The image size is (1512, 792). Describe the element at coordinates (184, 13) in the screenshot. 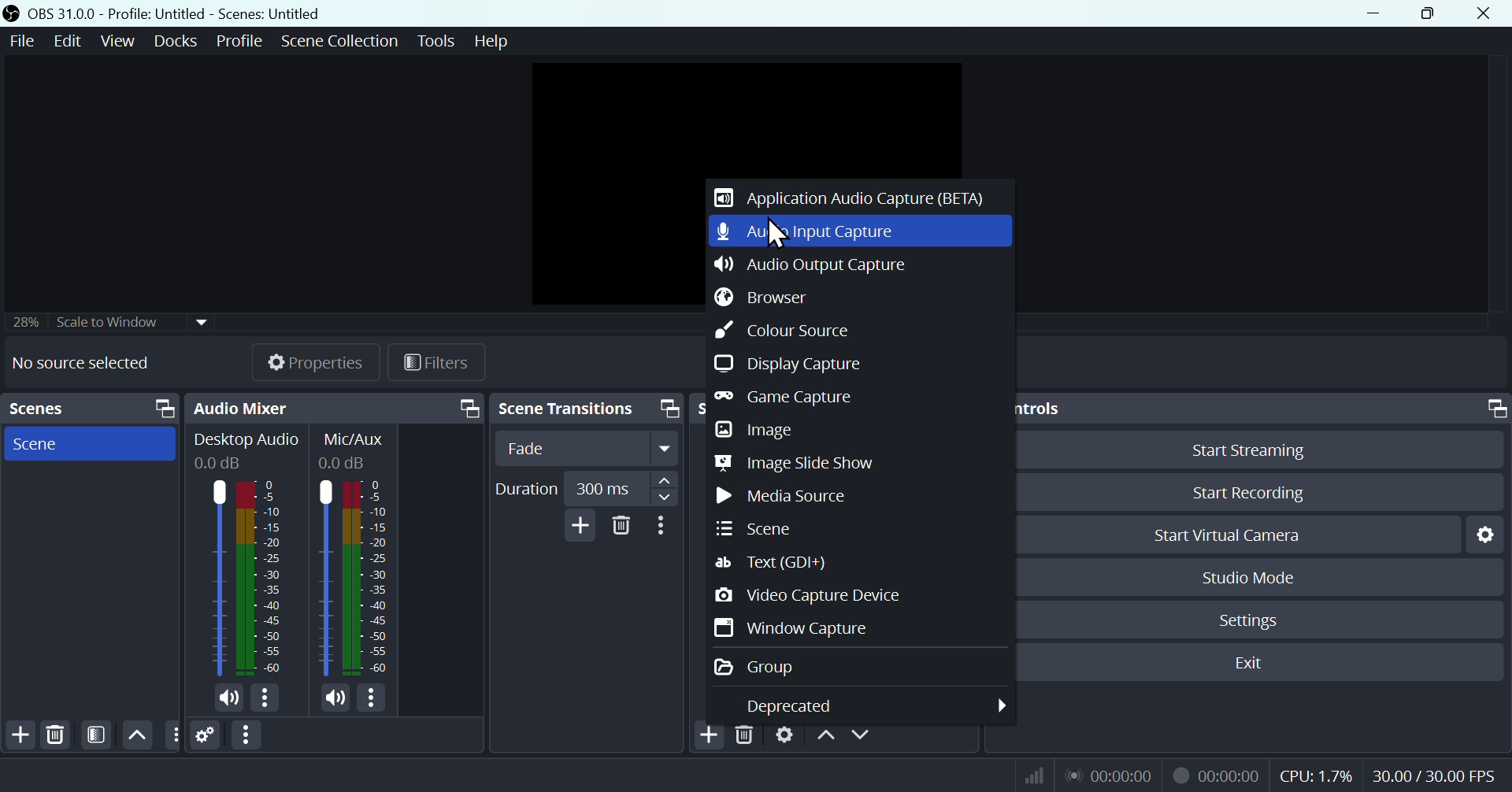

I see `OBS 31.0 .0 profile: untitled scenes: untitled` at that location.